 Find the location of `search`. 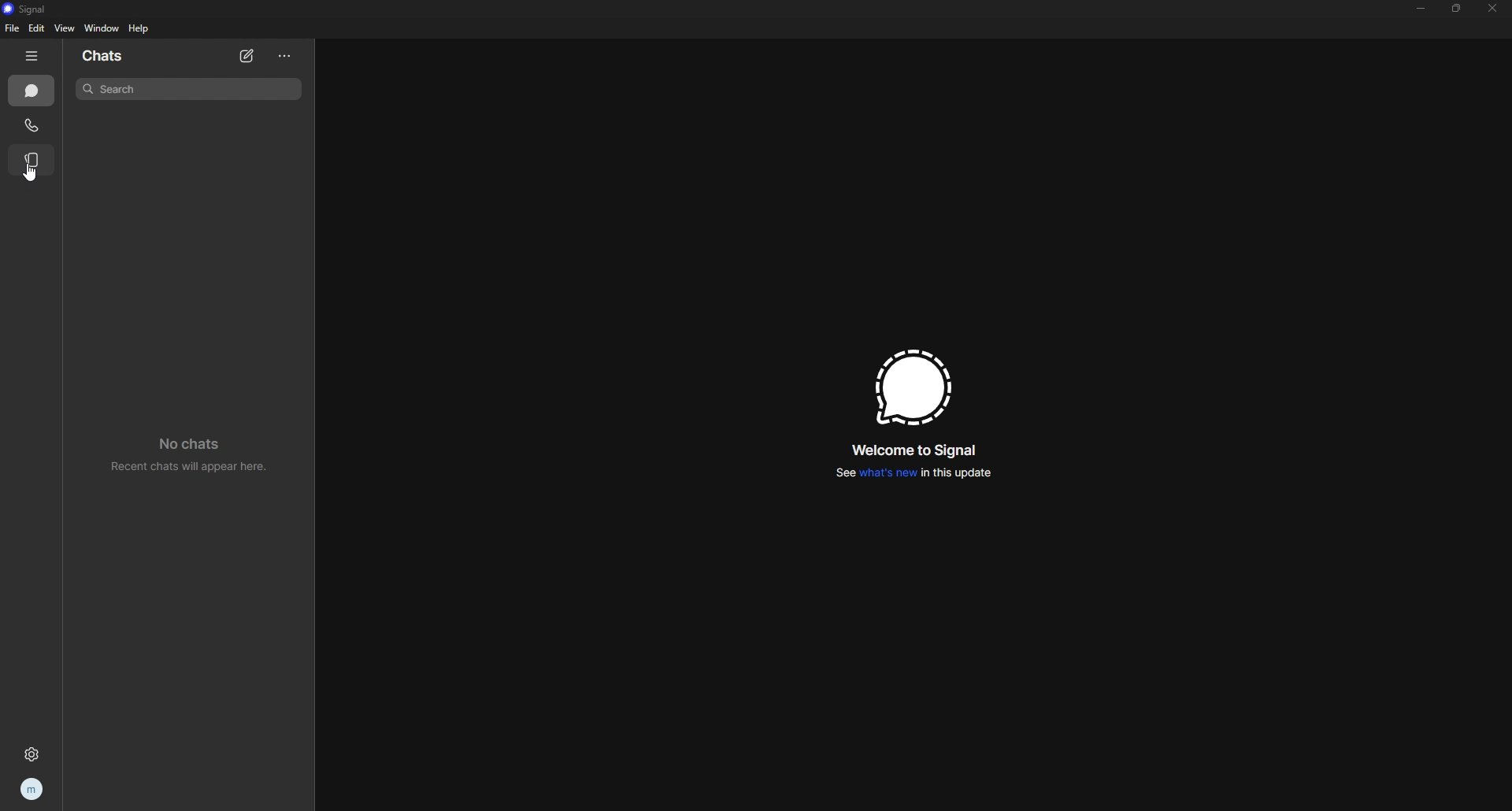

search is located at coordinates (187, 88).